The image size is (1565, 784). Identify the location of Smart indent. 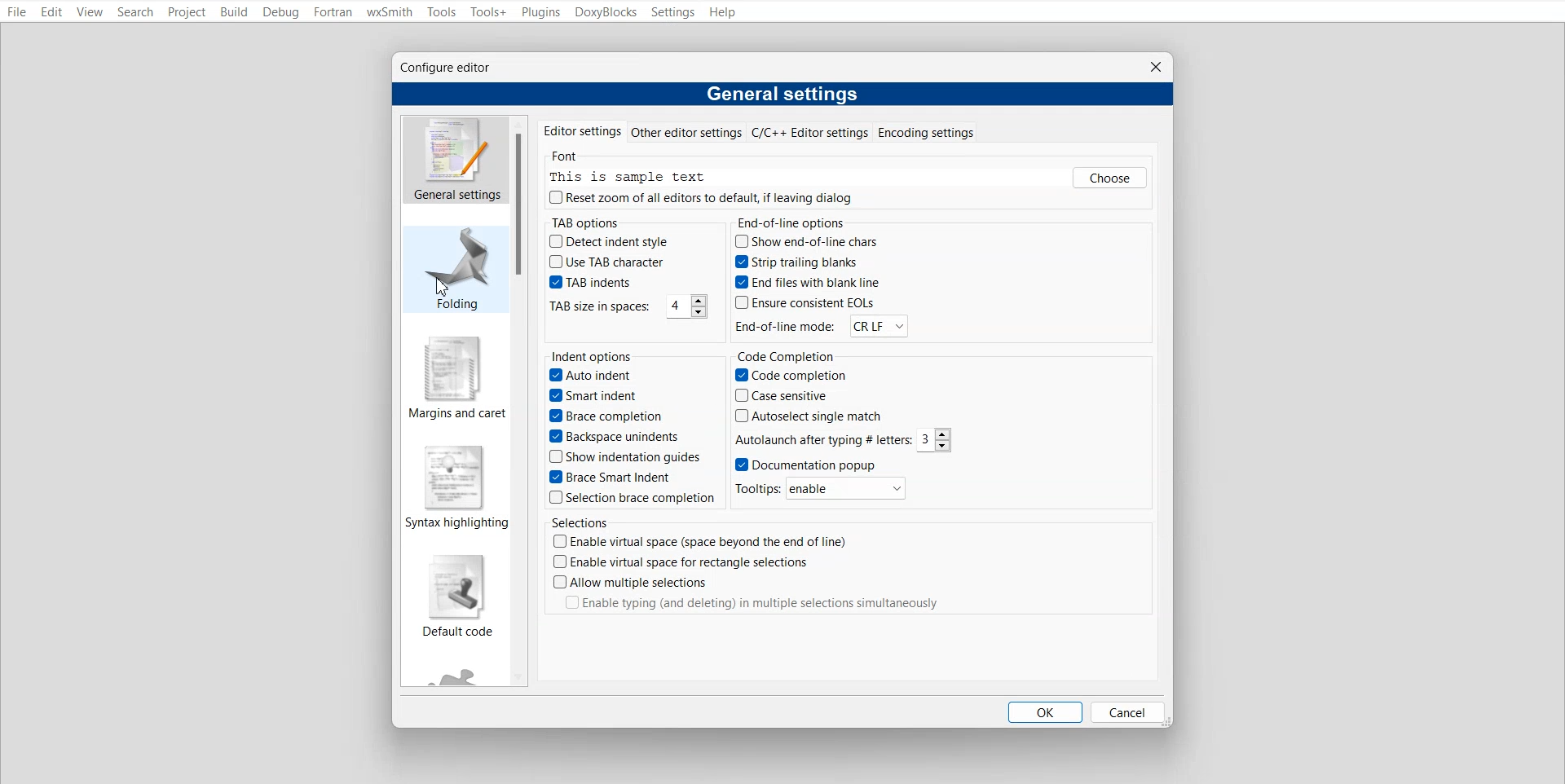
(598, 397).